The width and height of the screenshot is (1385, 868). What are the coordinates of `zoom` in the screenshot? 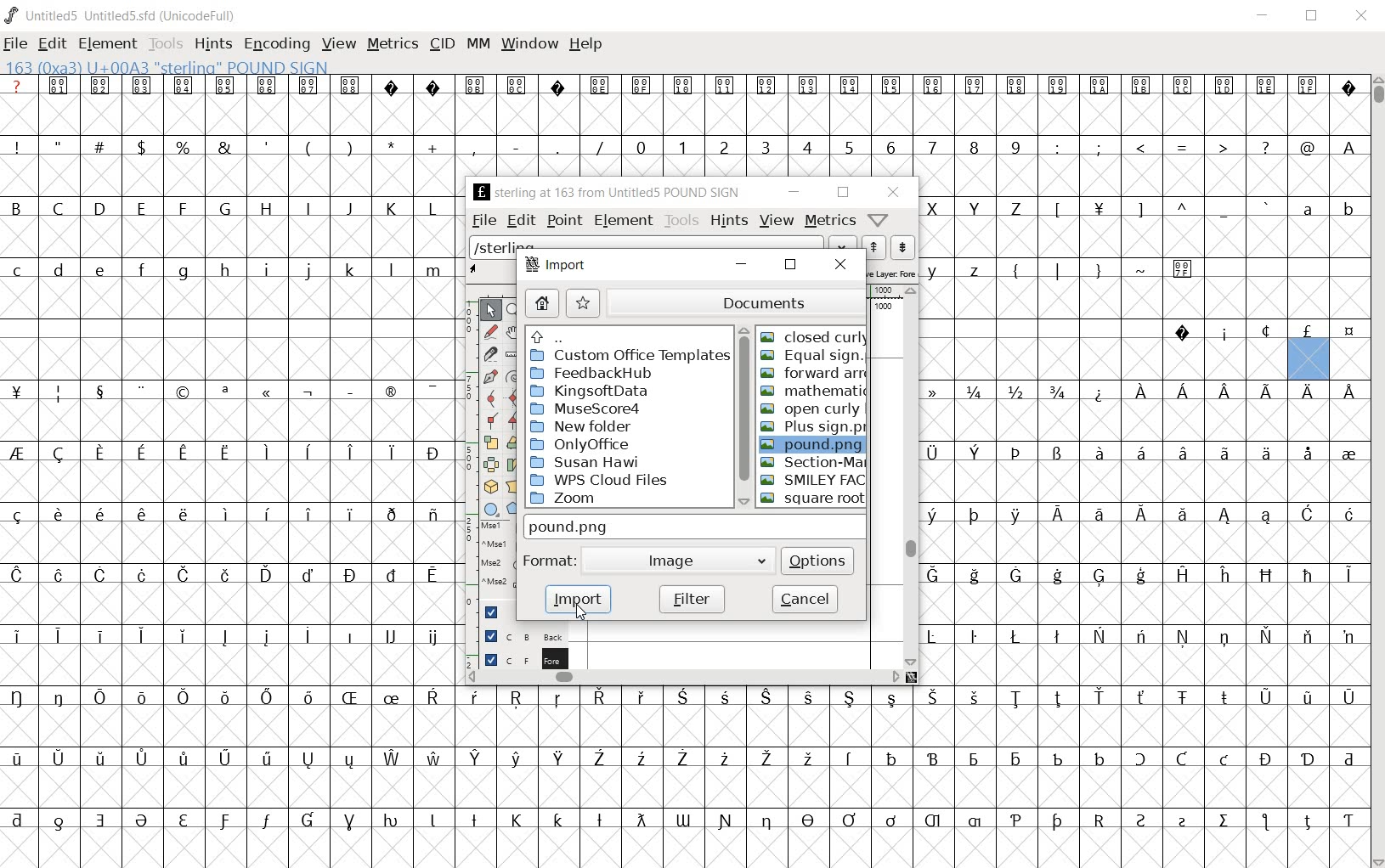 It's located at (516, 311).